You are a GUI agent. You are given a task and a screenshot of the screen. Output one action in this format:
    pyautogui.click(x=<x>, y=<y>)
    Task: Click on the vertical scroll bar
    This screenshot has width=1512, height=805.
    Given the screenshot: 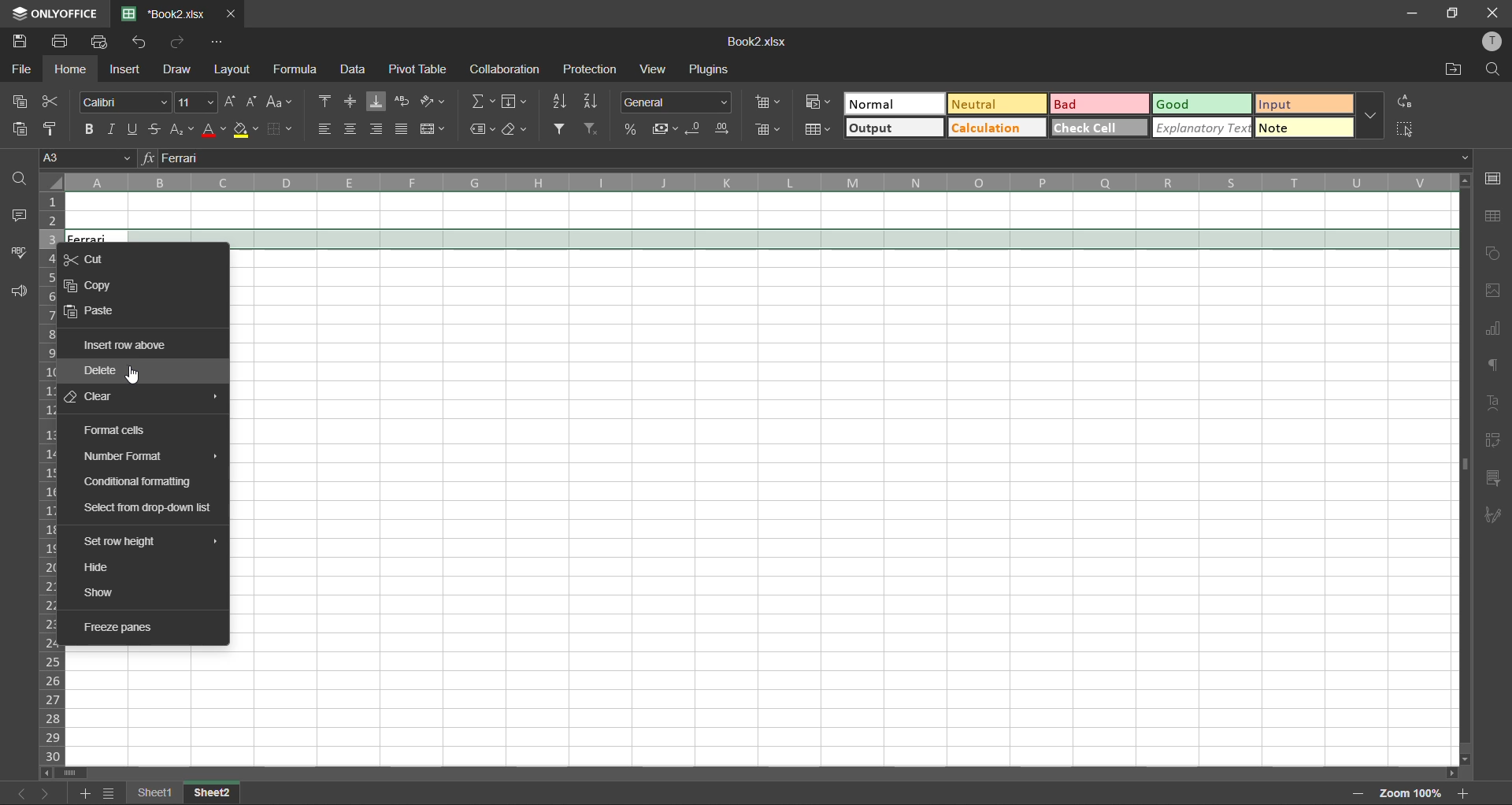 What is the action you would take?
    pyautogui.click(x=1462, y=353)
    